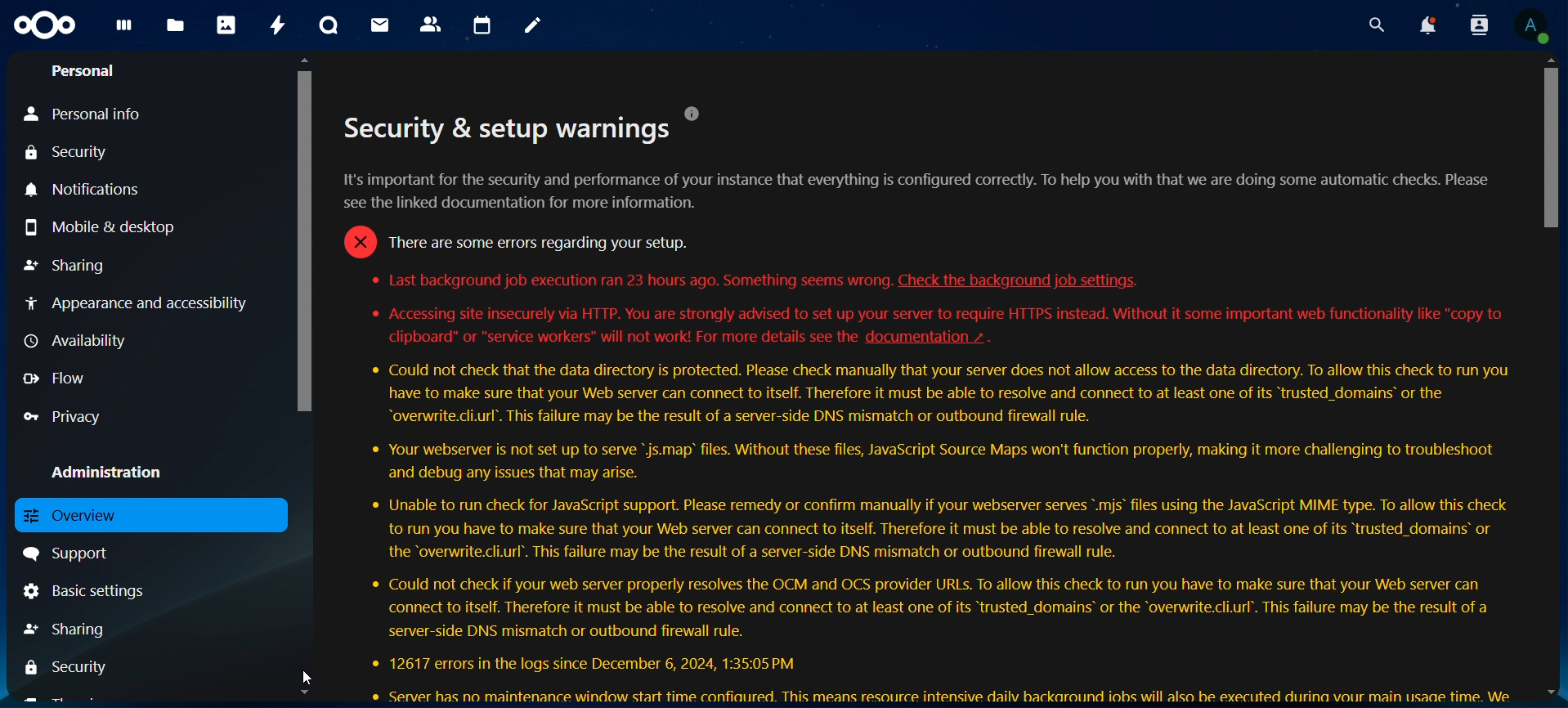 This screenshot has width=1568, height=708. Describe the element at coordinates (309, 675) in the screenshot. I see `Cursor` at that location.